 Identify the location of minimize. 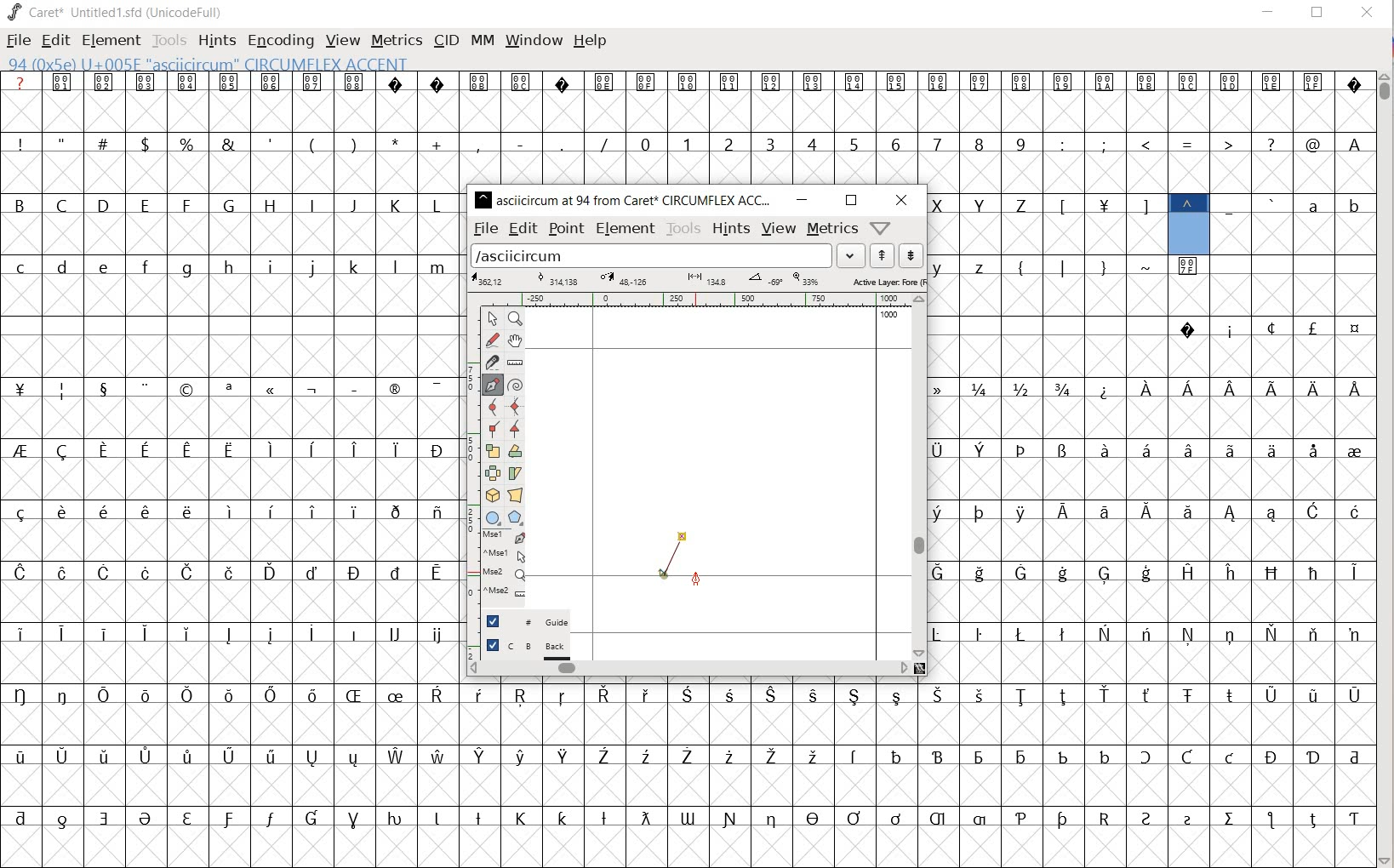
(803, 200).